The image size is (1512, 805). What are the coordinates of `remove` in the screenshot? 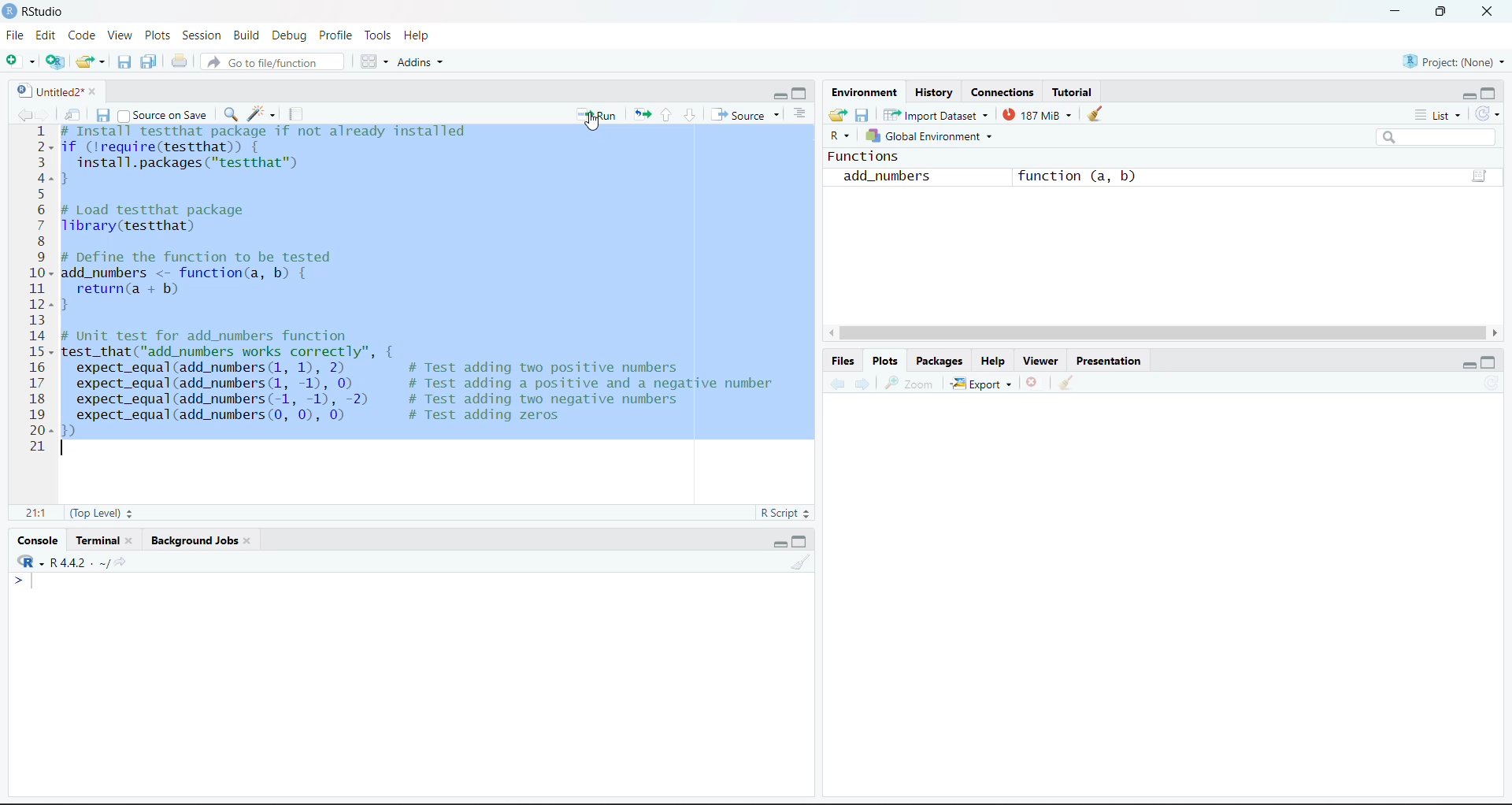 It's located at (1032, 381).